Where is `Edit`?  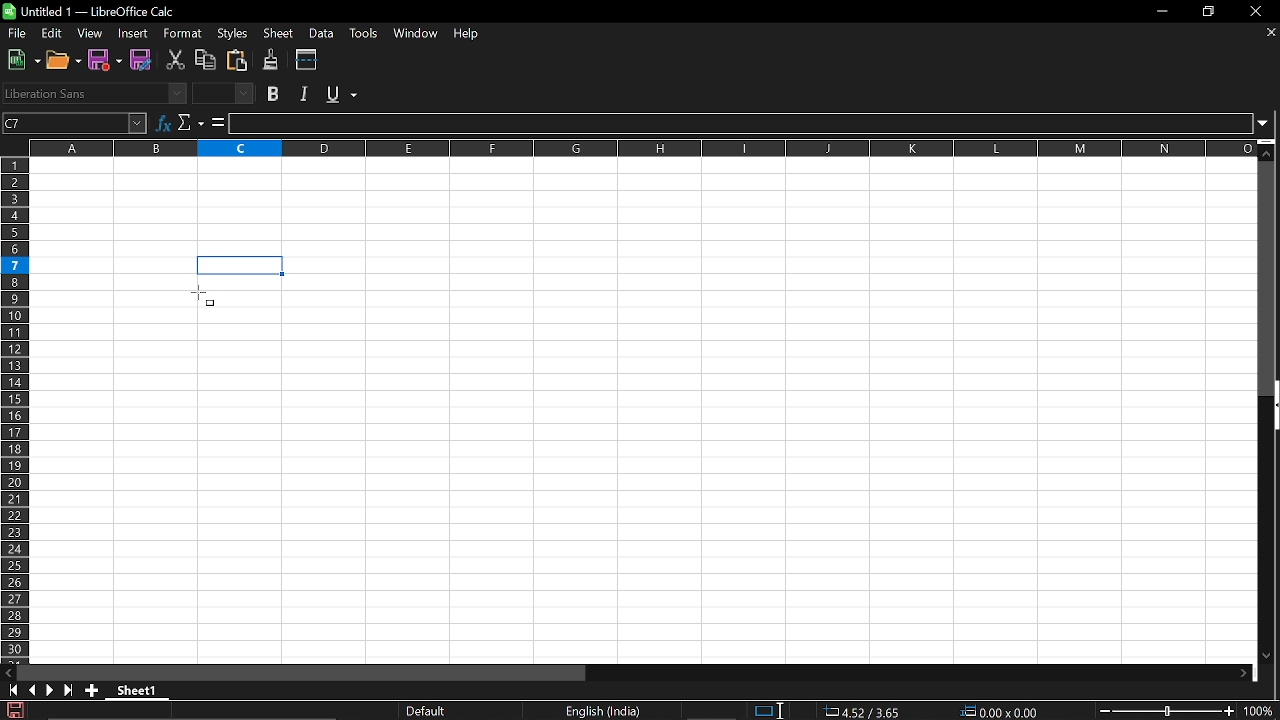
Edit is located at coordinates (53, 34).